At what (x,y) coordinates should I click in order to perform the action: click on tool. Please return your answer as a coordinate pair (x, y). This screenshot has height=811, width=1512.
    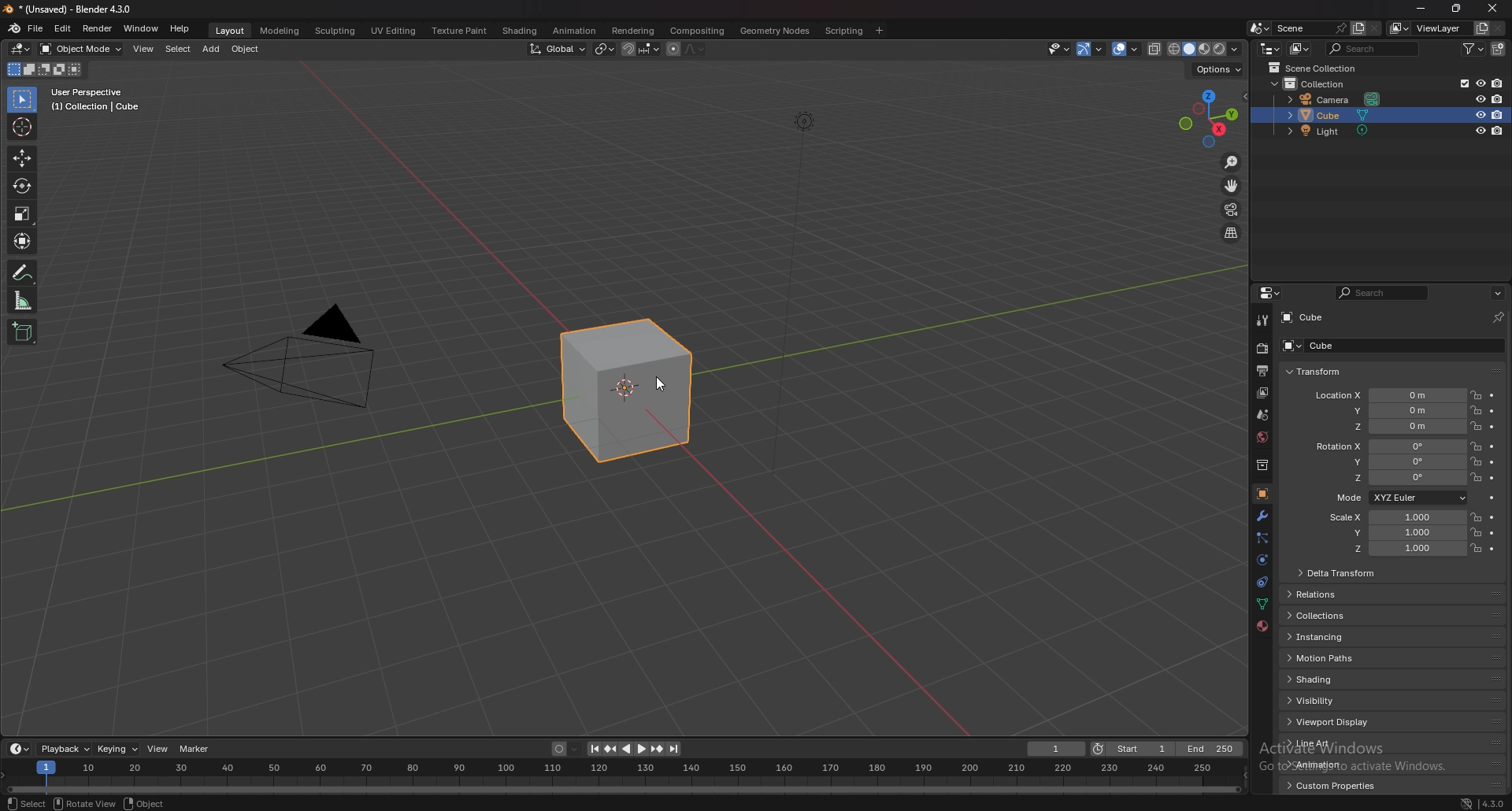
    Looking at the image, I should click on (1263, 320).